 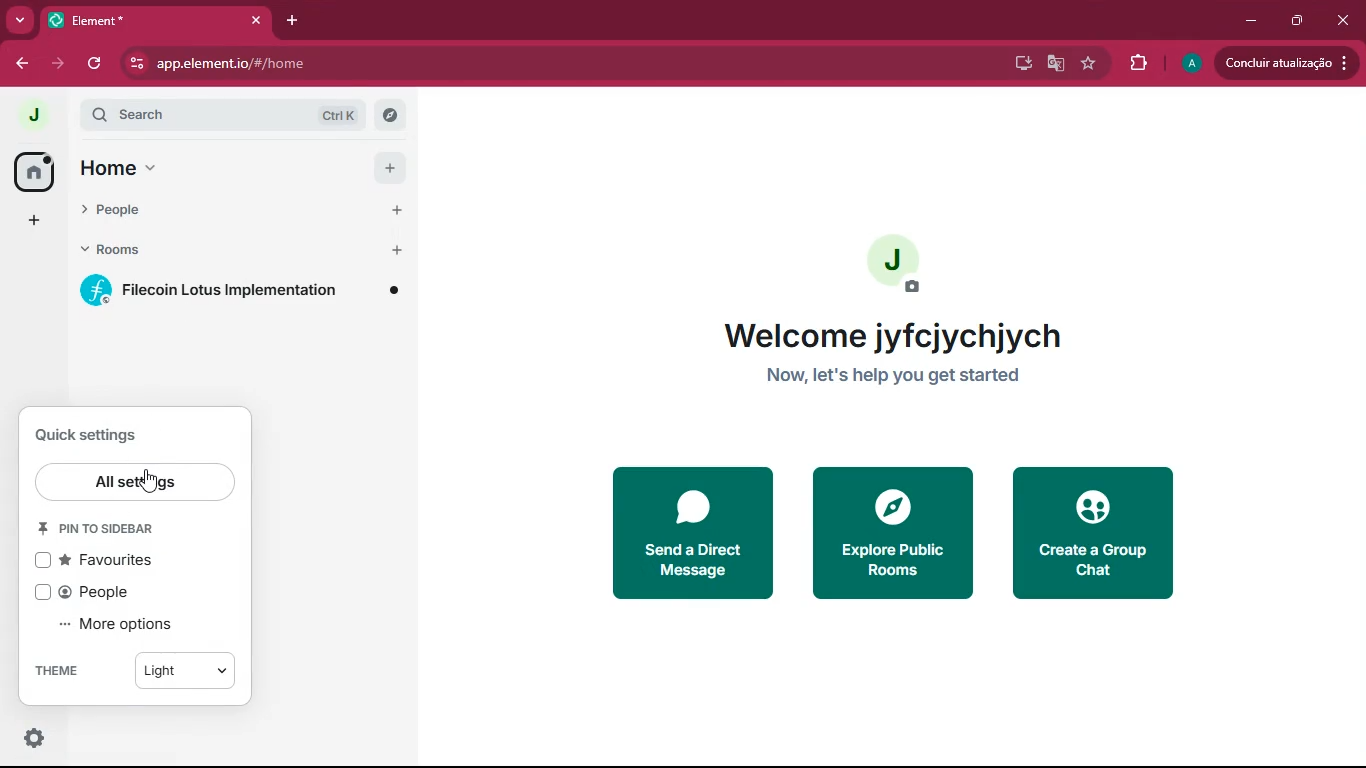 What do you see at coordinates (21, 65) in the screenshot?
I see `back` at bounding box center [21, 65].